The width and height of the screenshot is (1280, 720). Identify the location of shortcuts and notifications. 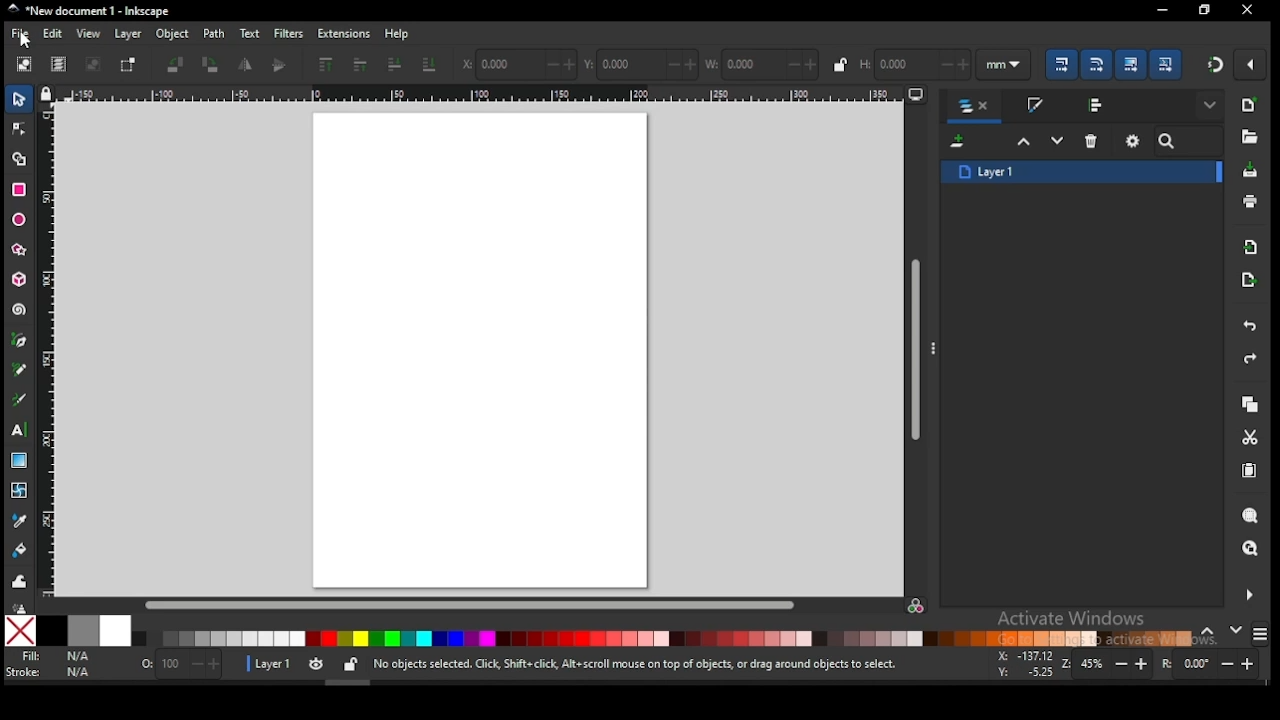
(634, 665).